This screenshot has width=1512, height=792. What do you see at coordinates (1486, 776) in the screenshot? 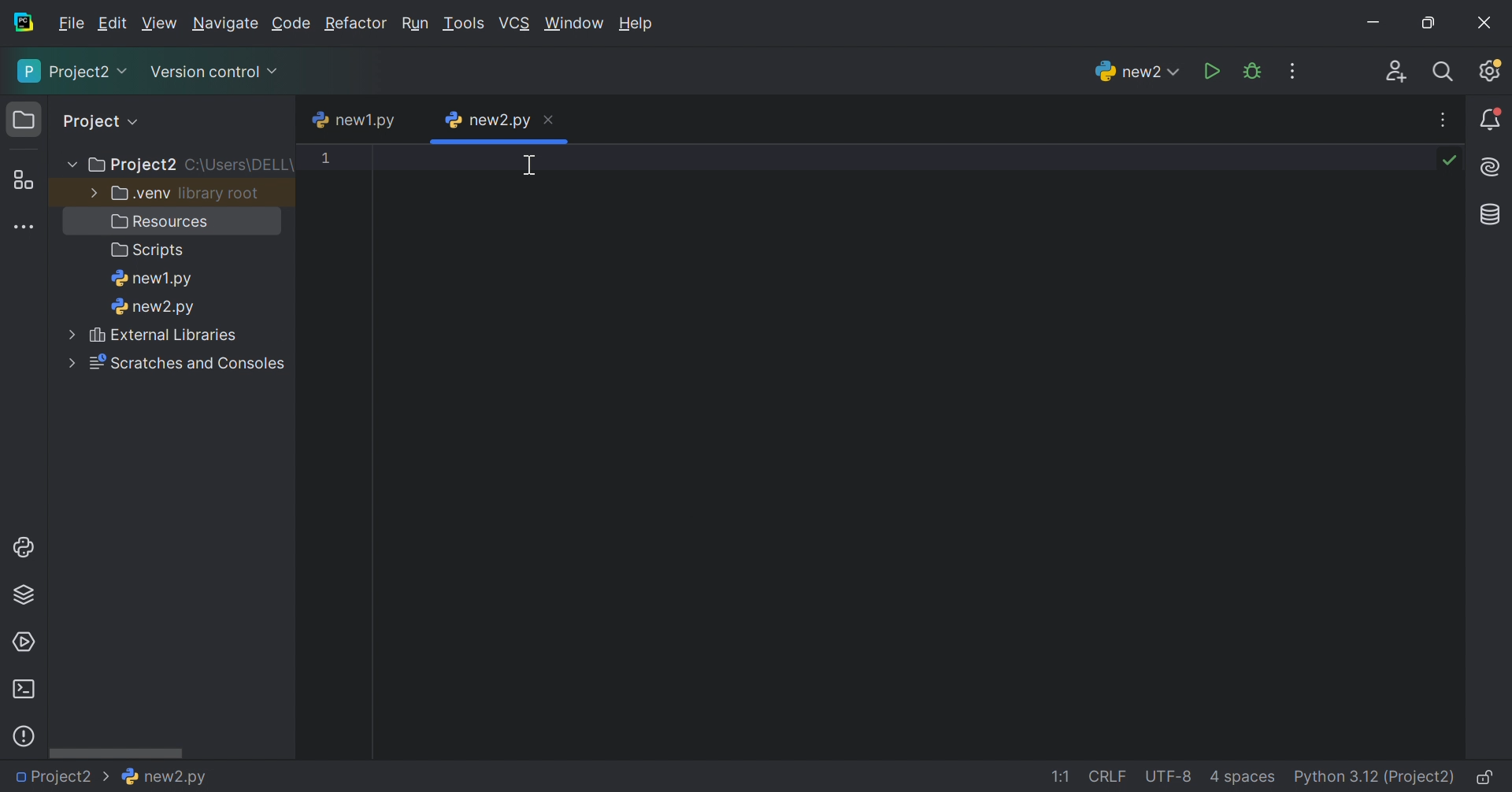
I see `Make file read-only` at bounding box center [1486, 776].